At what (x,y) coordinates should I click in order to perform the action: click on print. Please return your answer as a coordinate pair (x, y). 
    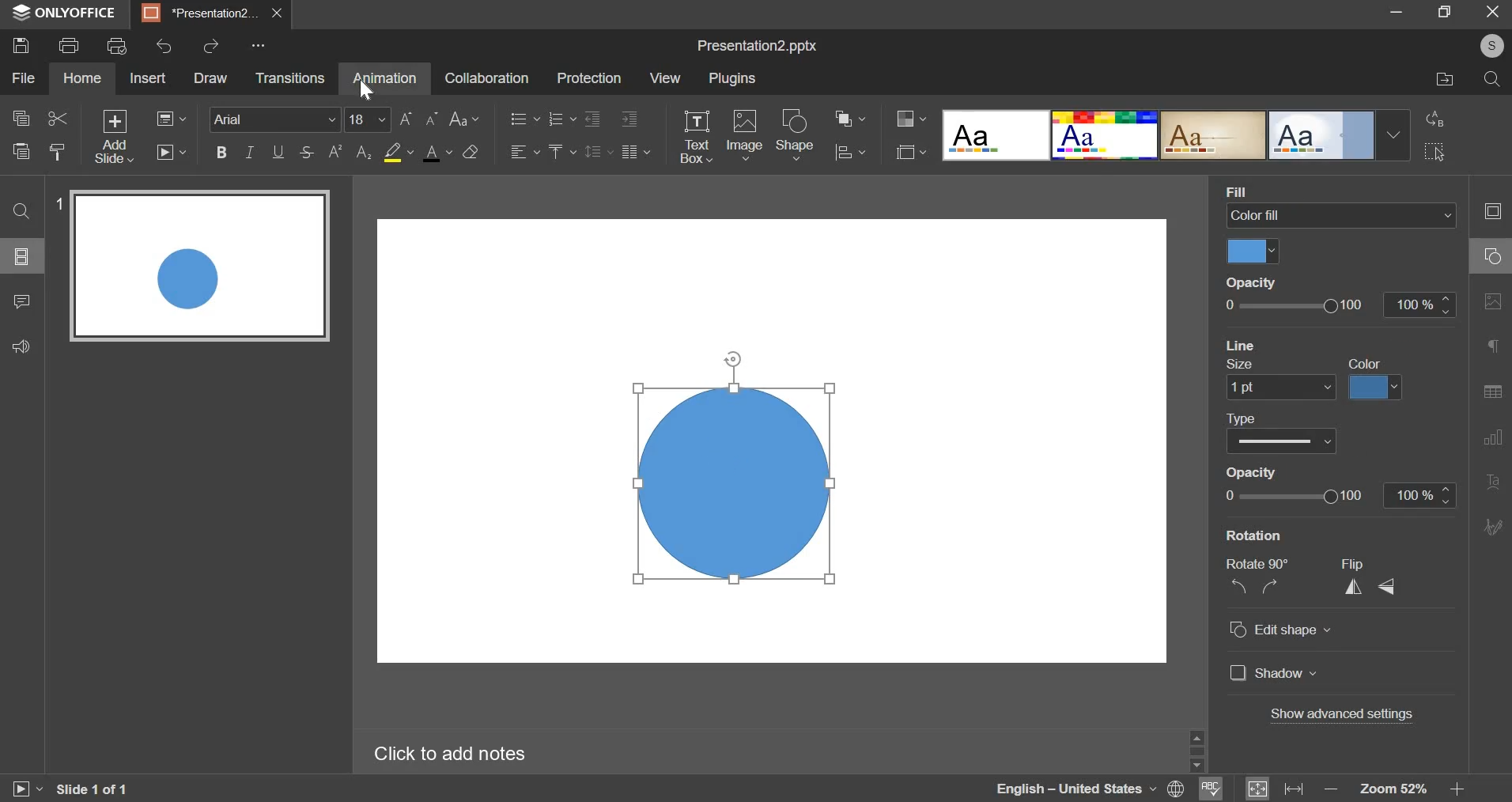
    Looking at the image, I should click on (70, 44).